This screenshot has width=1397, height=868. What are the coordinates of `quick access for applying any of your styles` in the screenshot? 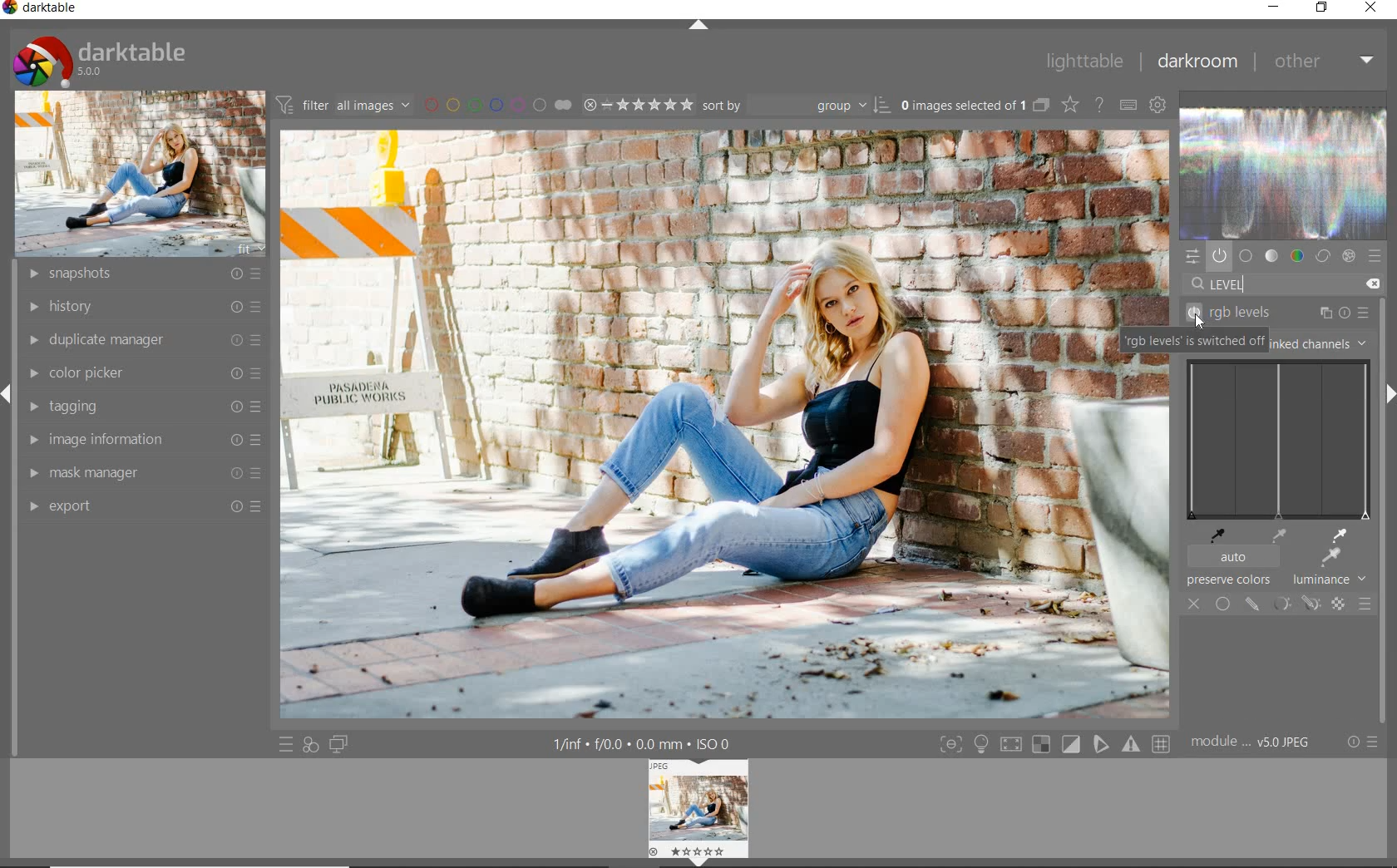 It's located at (311, 745).